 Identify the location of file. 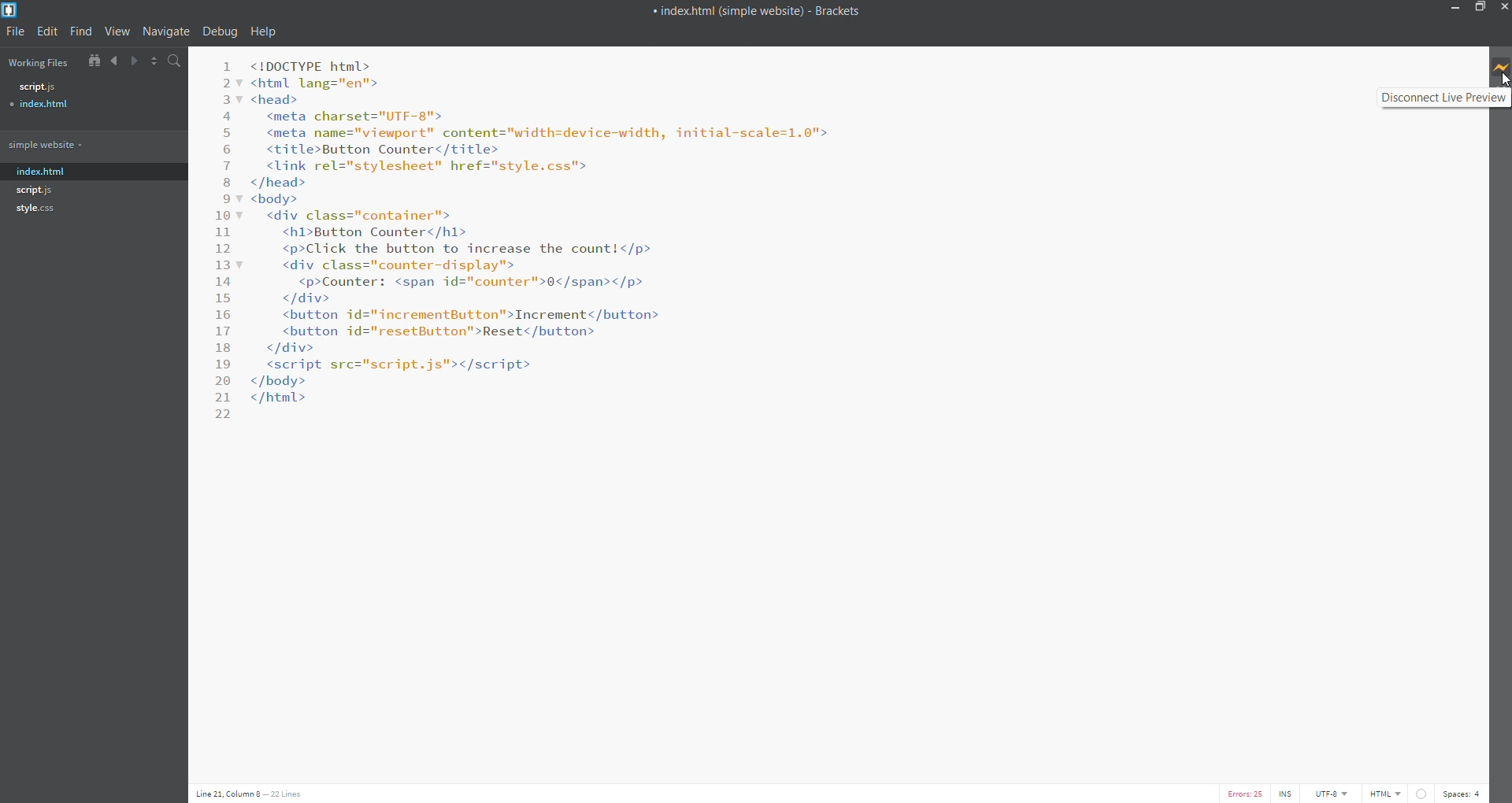
(18, 32).